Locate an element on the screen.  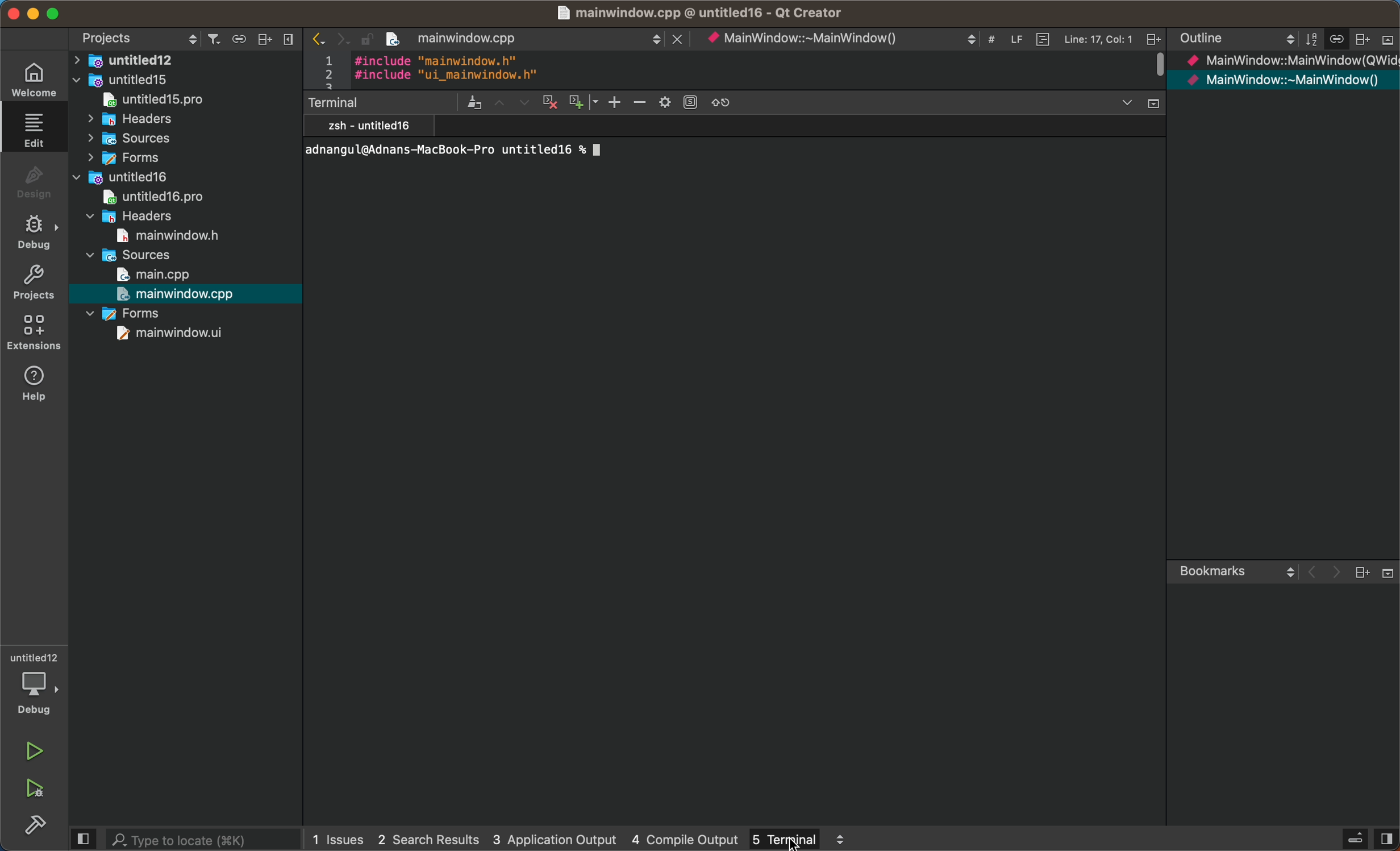
minimize is located at coordinates (32, 13).